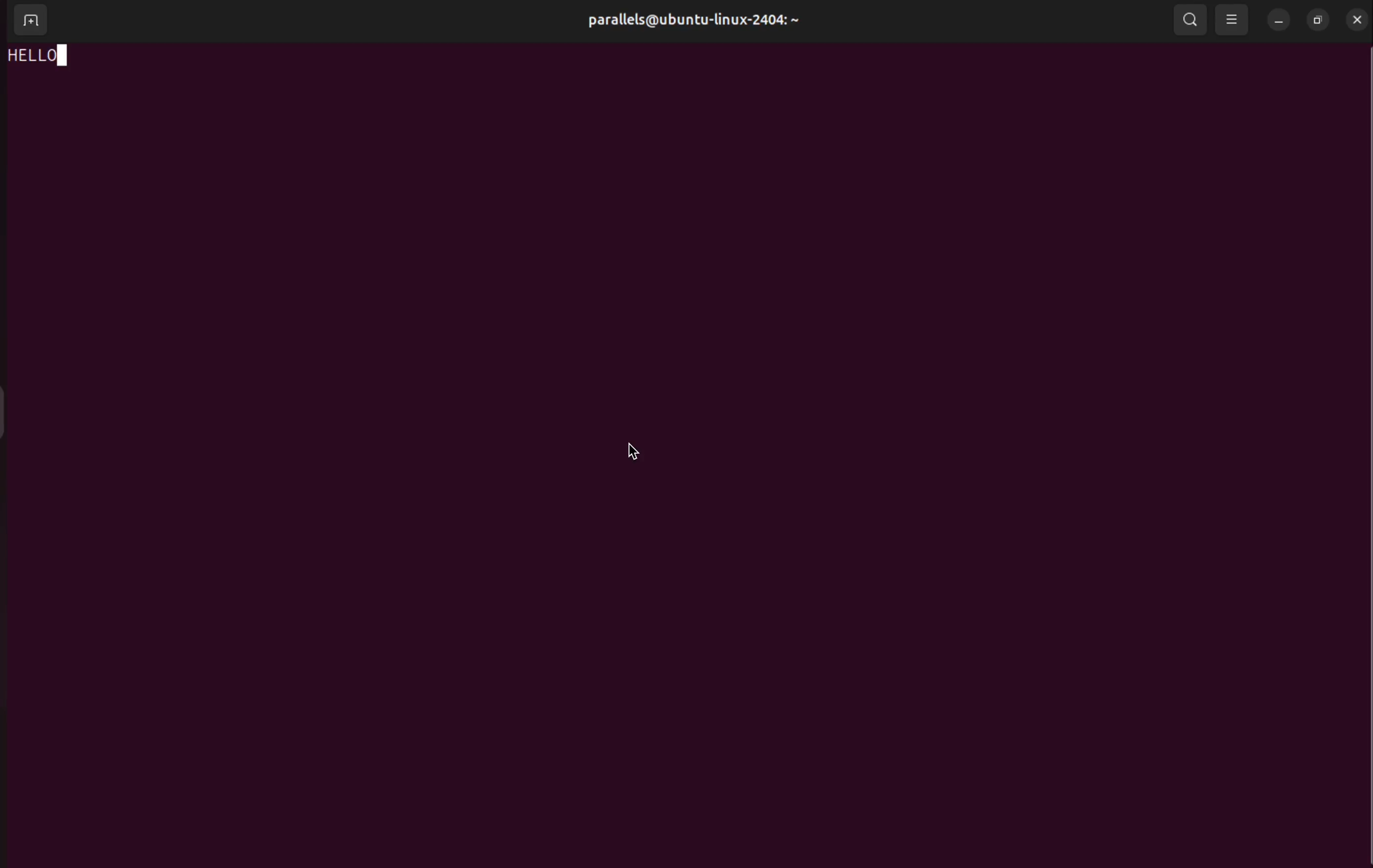 This screenshot has width=1373, height=868. I want to click on minimize, so click(1279, 20).